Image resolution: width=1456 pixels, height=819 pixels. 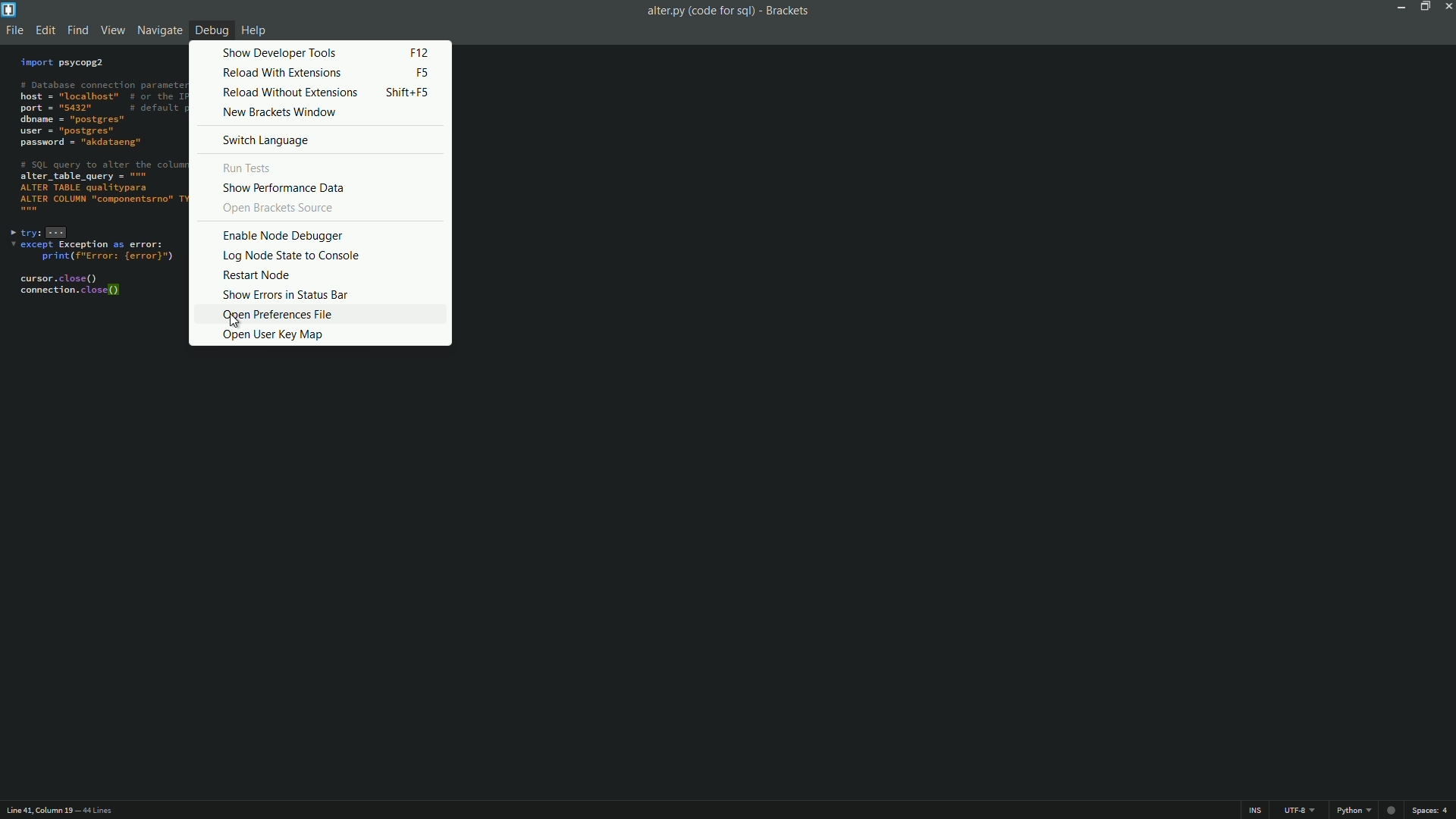 I want to click on File name, so click(x=697, y=11).